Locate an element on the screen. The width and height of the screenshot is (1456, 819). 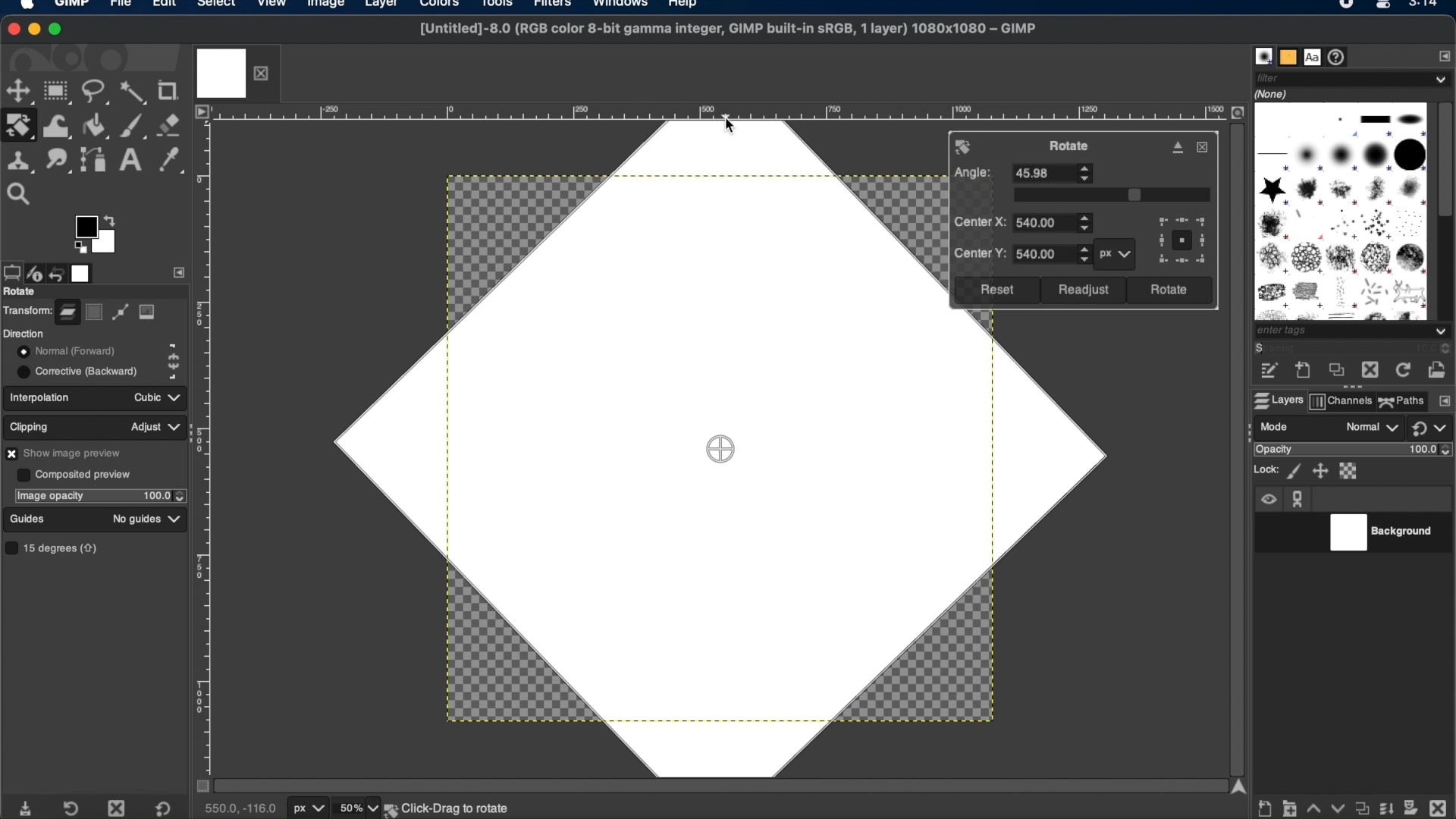
preview is located at coordinates (80, 248).